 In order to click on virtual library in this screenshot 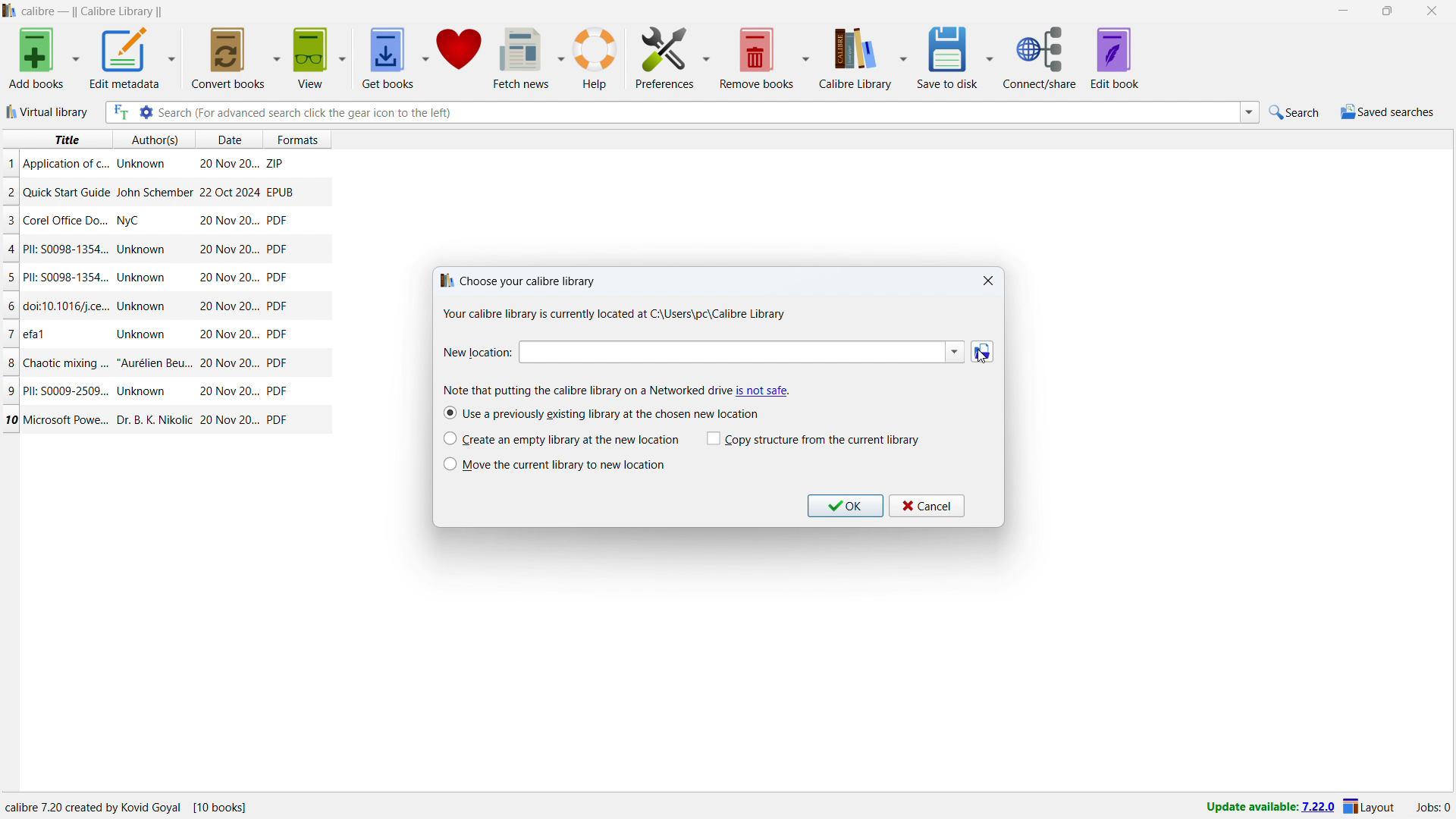, I will do `click(49, 111)`.